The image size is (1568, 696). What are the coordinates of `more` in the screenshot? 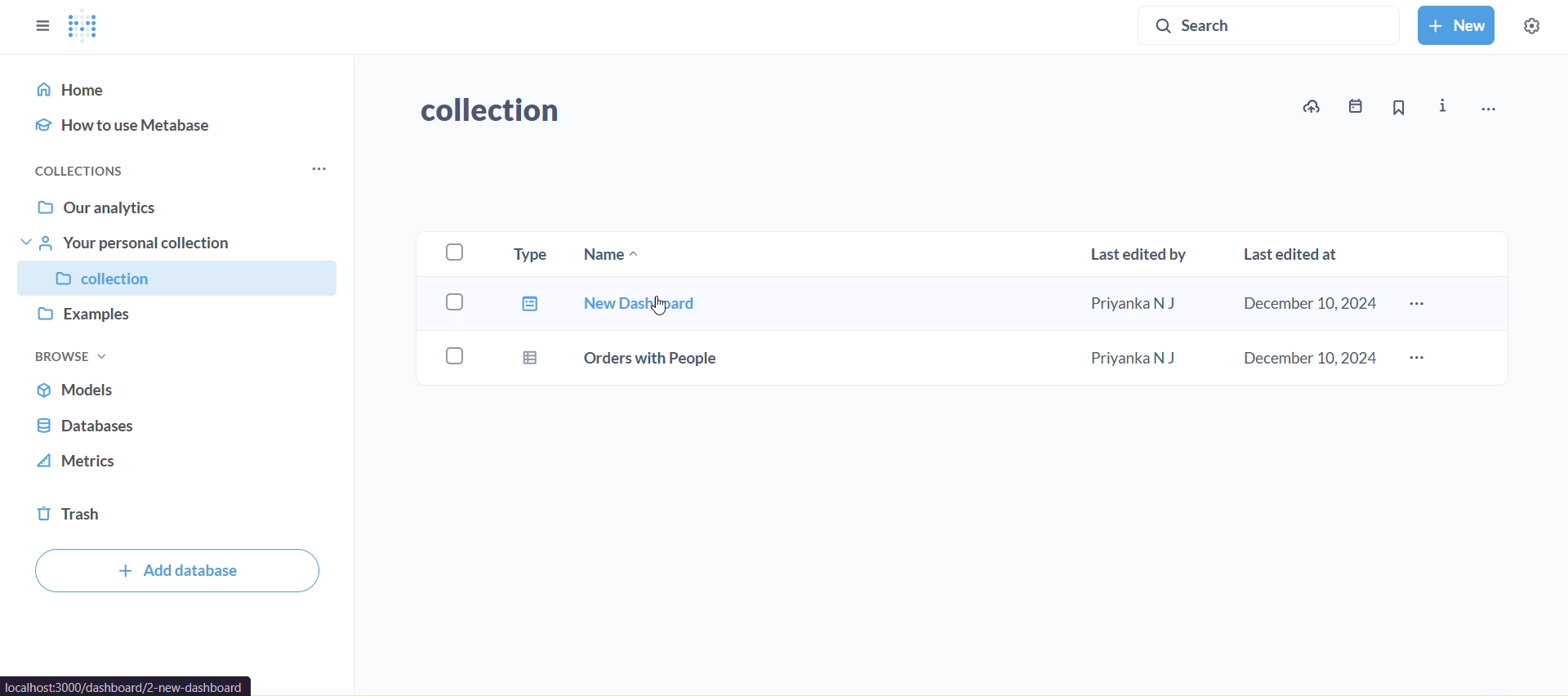 It's located at (1417, 359).